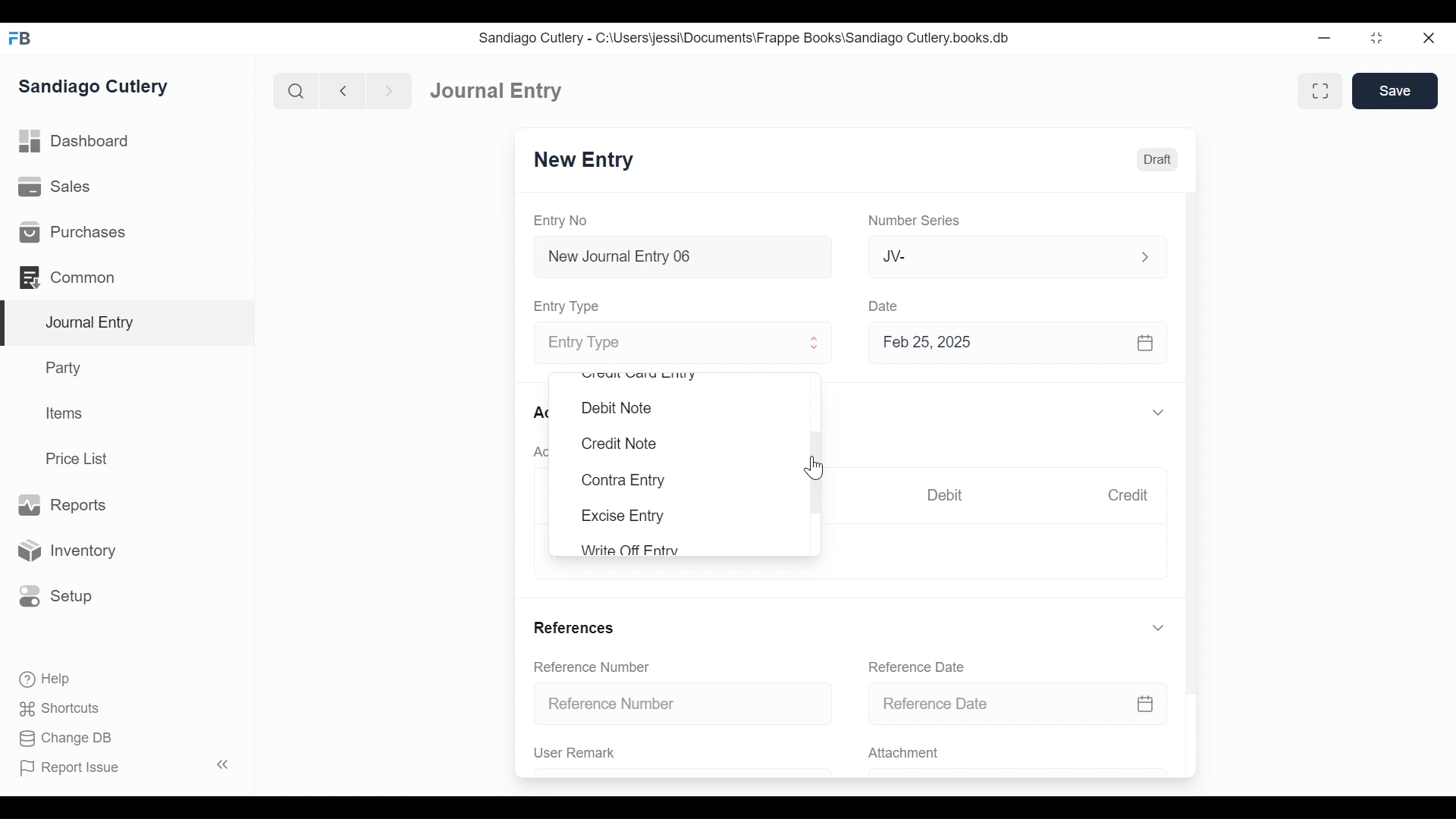  Describe the element at coordinates (297, 91) in the screenshot. I see `Search` at that location.